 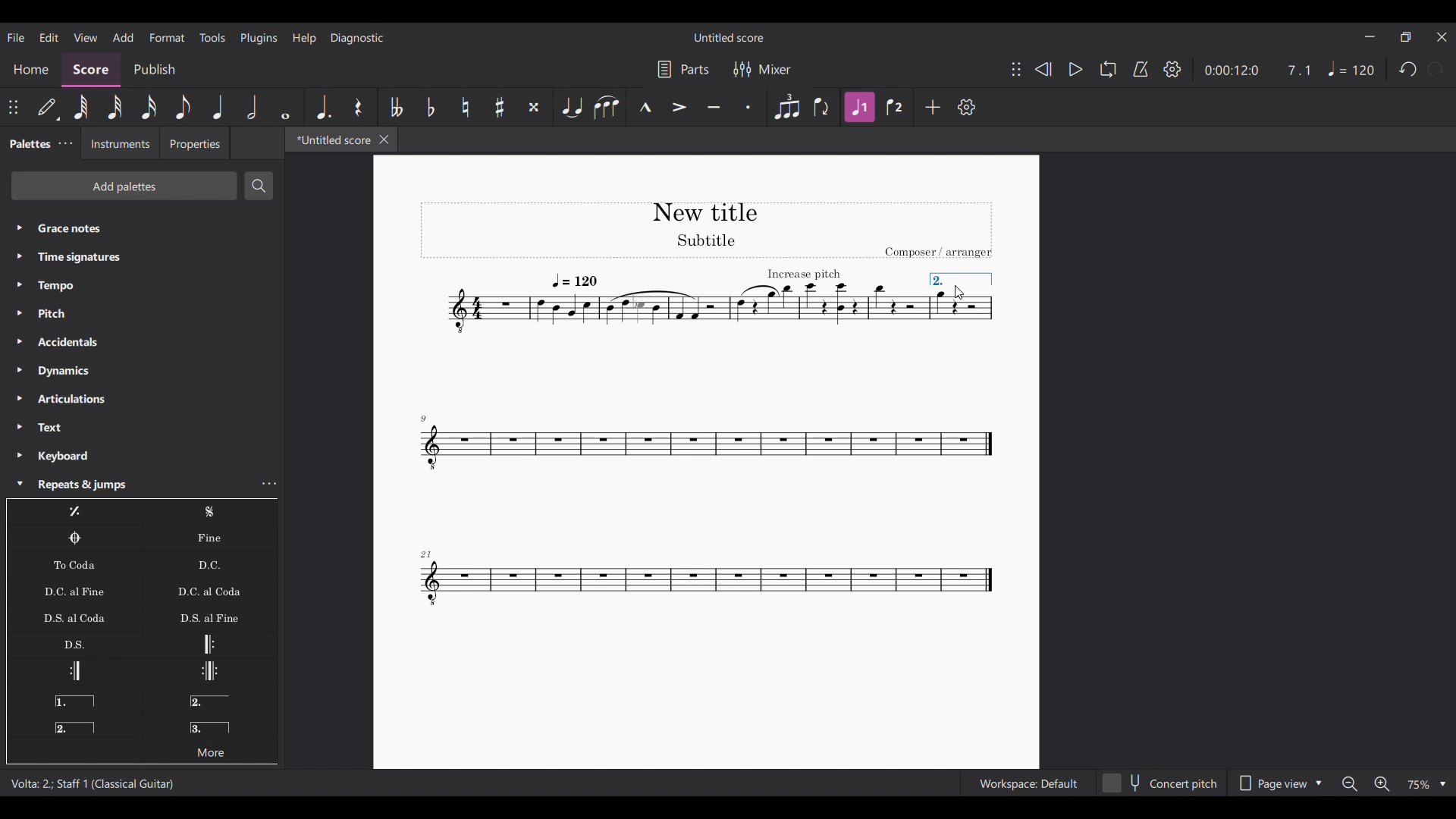 What do you see at coordinates (80, 108) in the screenshot?
I see `64th note` at bounding box center [80, 108].